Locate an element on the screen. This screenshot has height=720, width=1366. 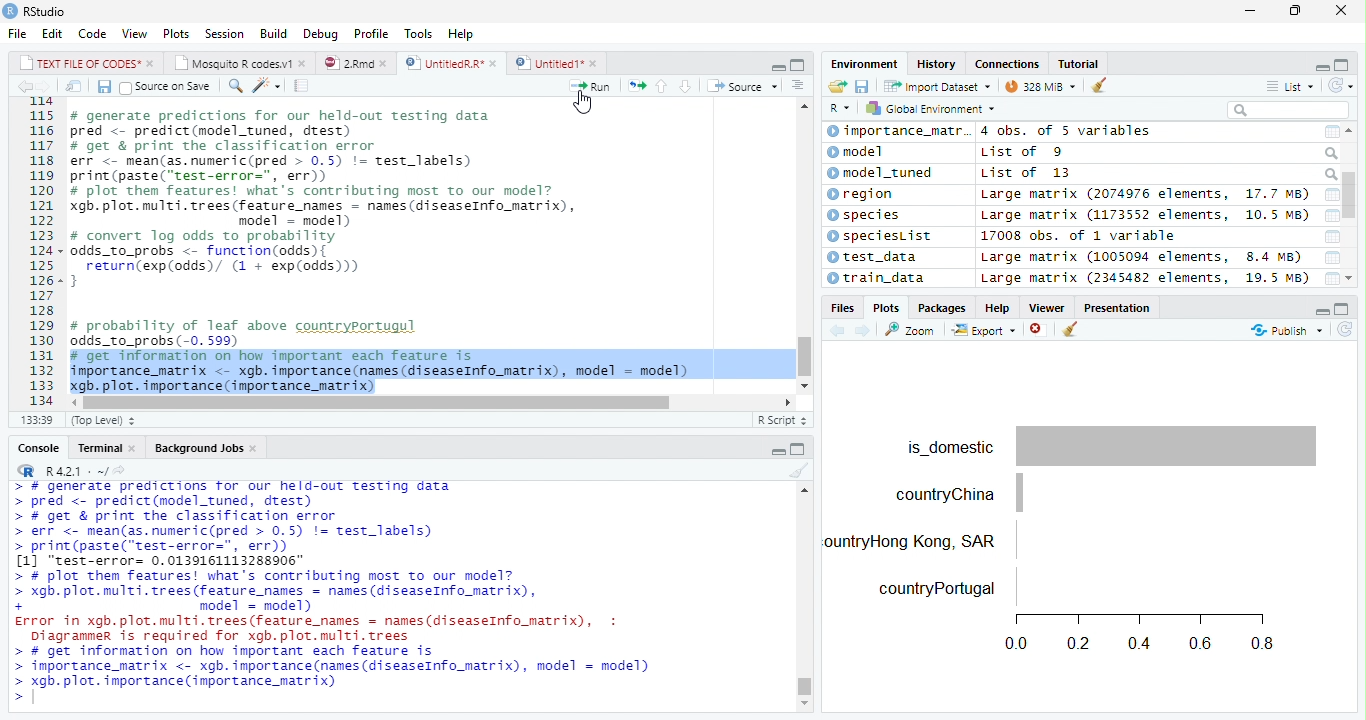
model is located at coordinates (856, 152).